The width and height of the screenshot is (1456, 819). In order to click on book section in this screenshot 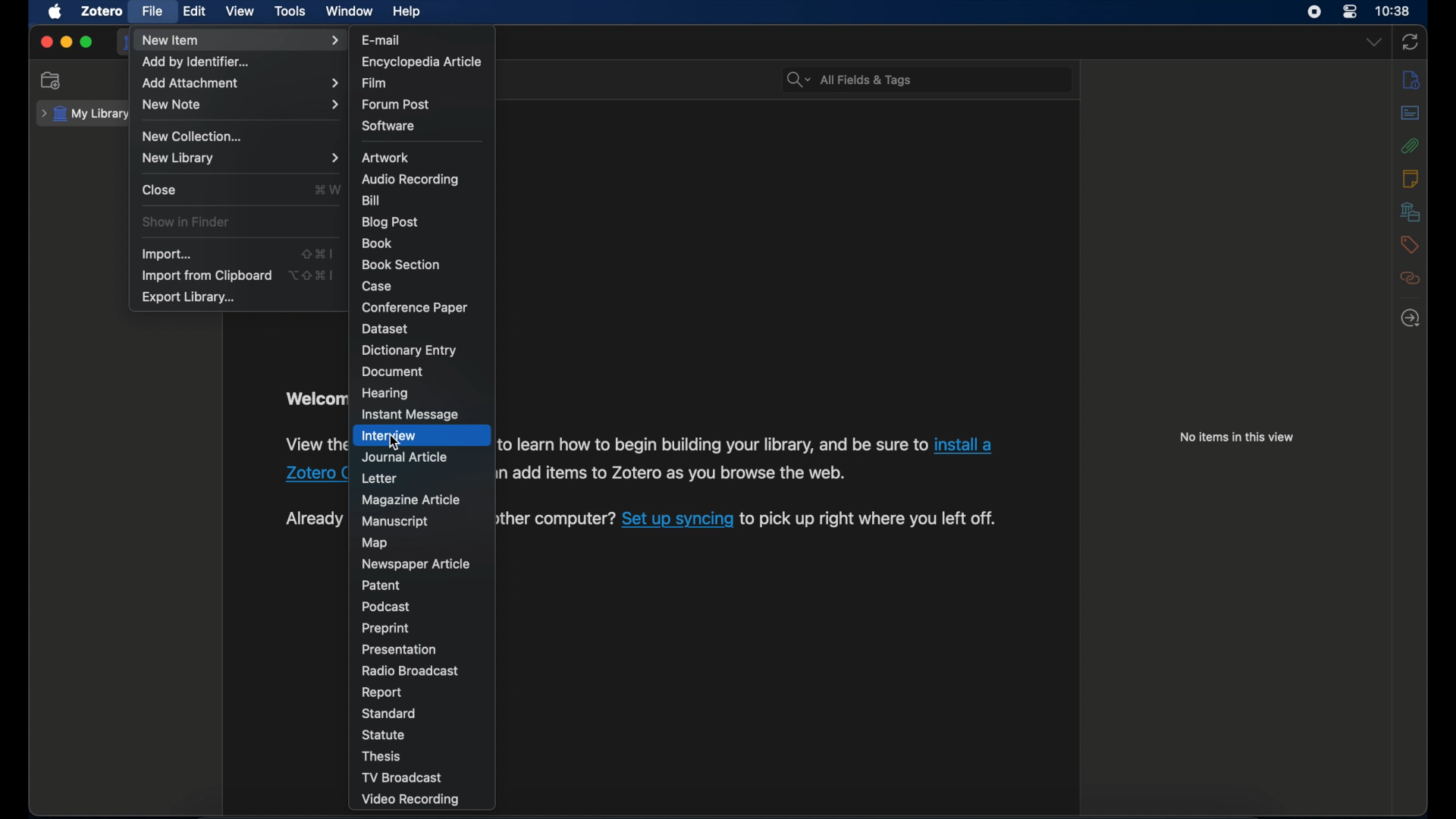, I will do `click(402, 265)`.